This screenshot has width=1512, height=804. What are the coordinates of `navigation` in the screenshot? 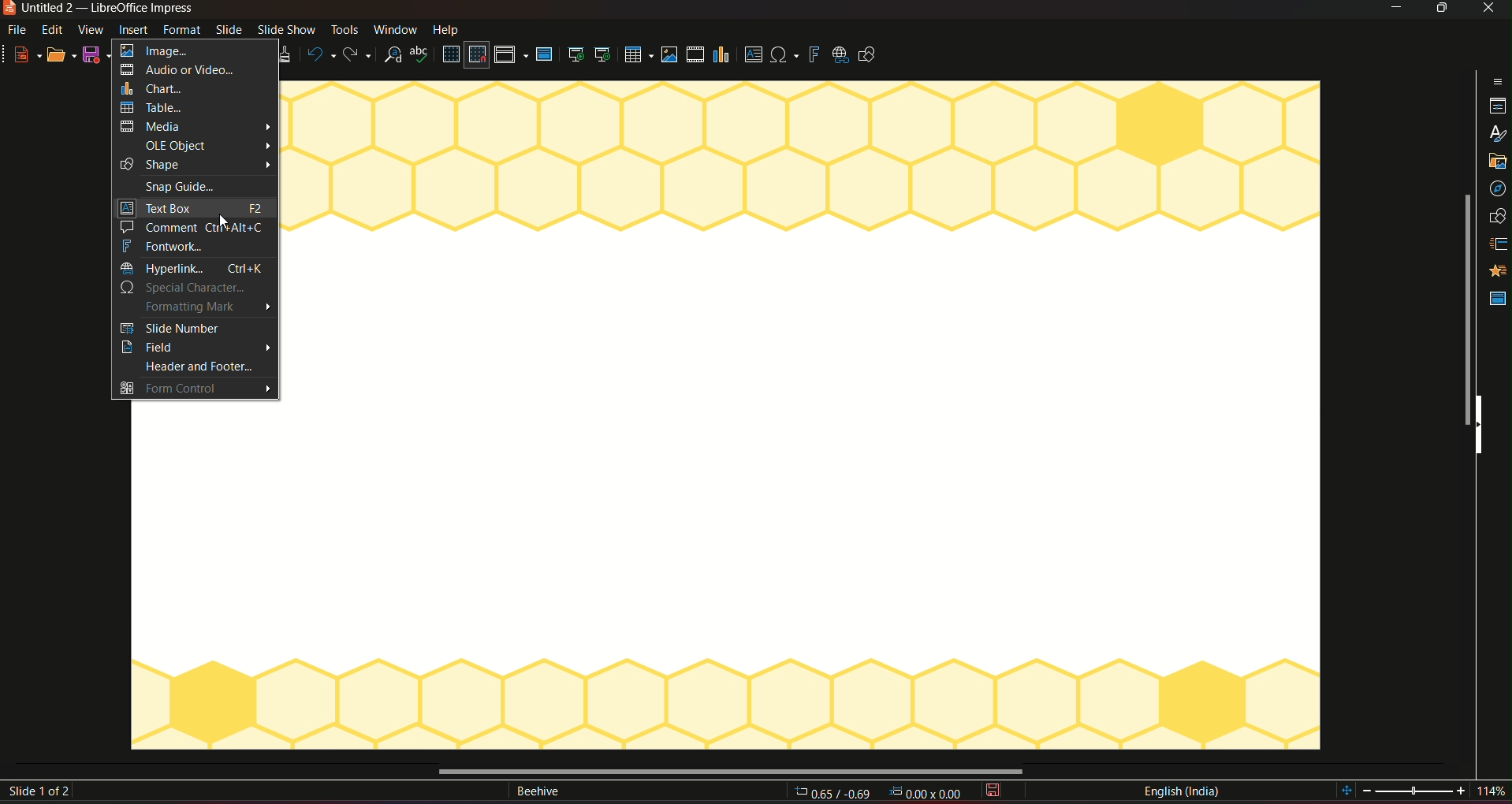 It's located at (1498, 189).